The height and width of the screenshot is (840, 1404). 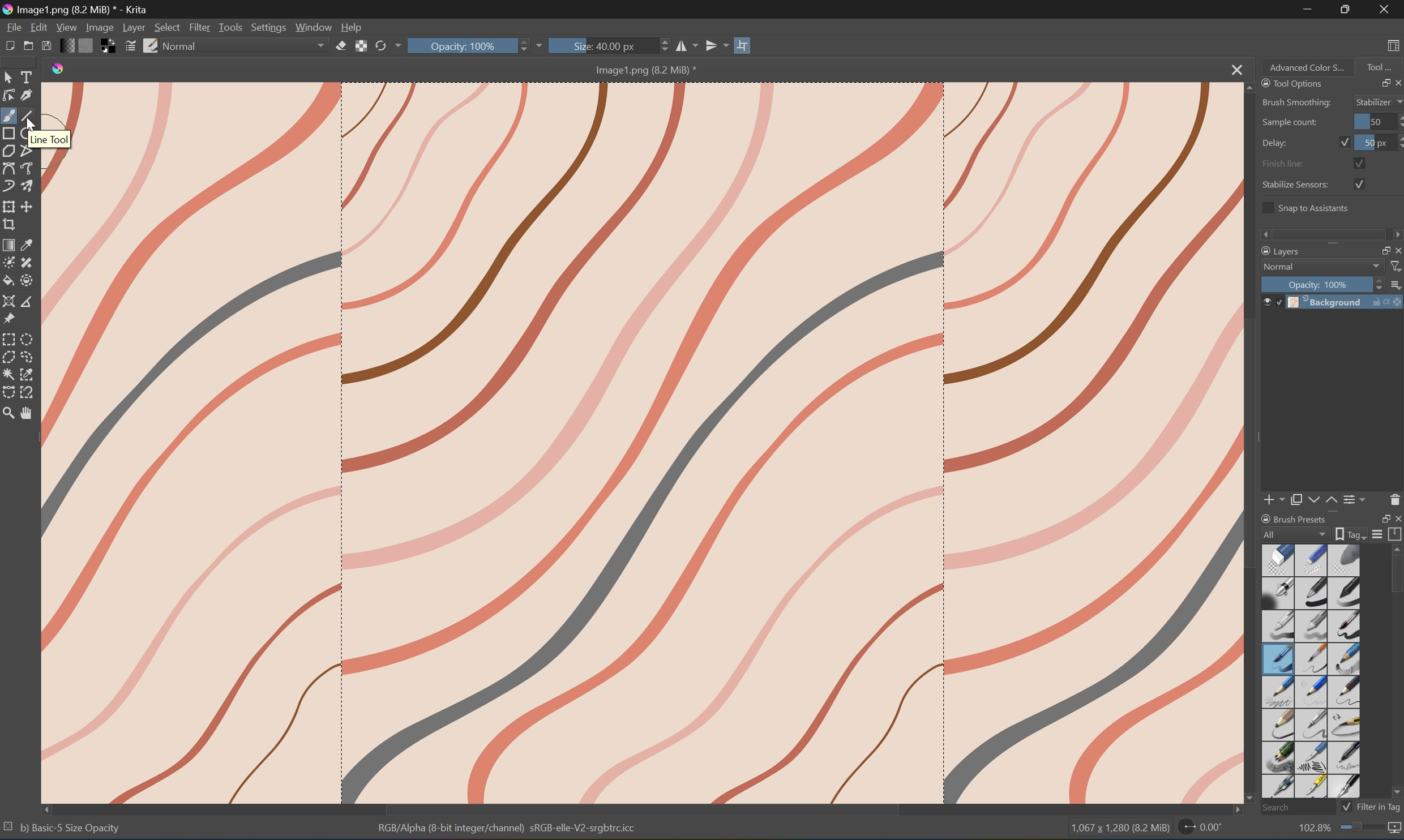 I want to click on Cursor, so click(x=29, y=123).